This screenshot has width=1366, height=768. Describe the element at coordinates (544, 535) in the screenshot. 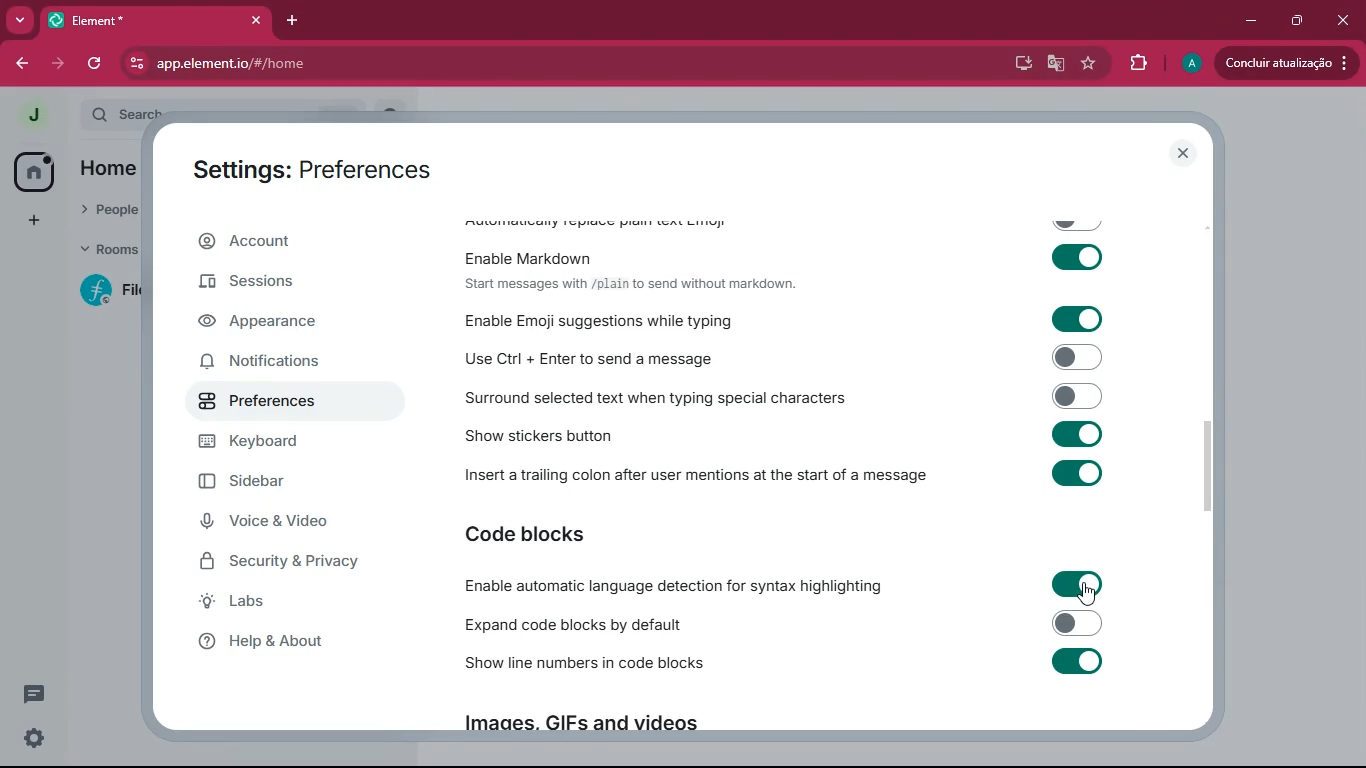

I see `code blocks` at that location.